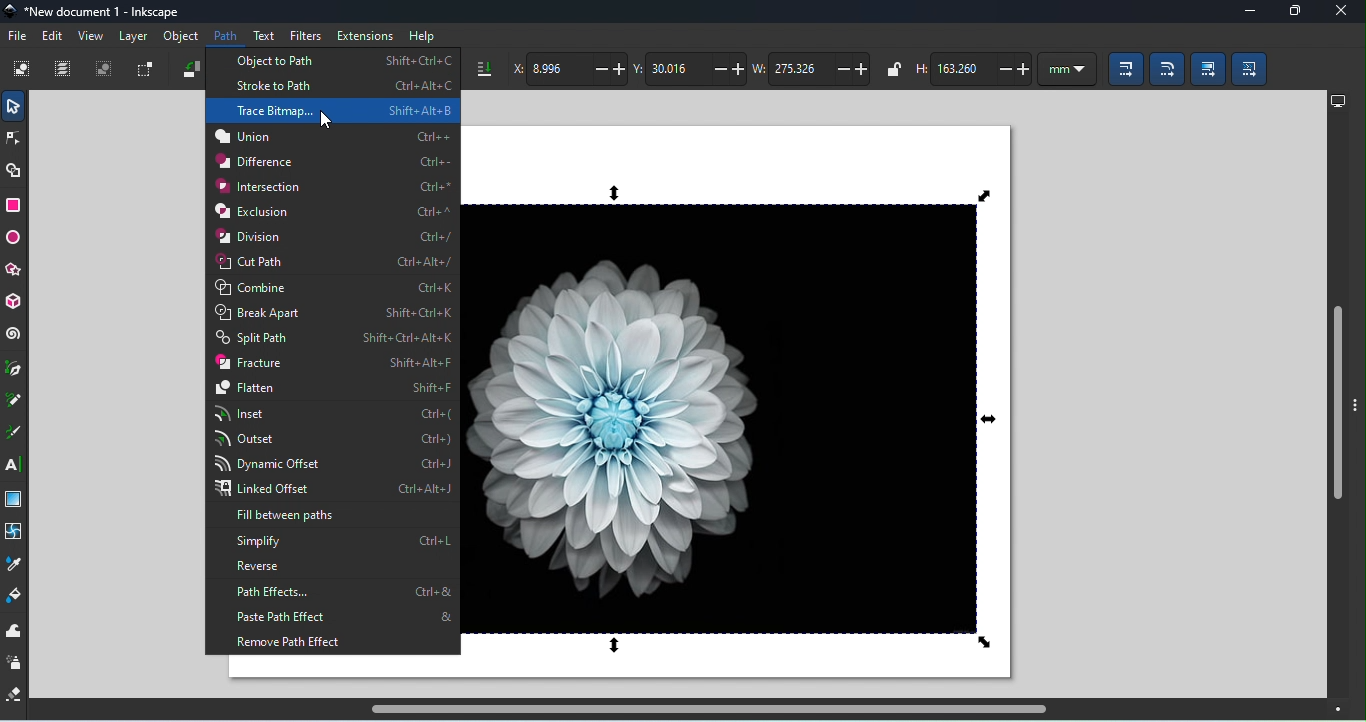 This screenshot has height=722, width=1366. Describe the element at coordinates (335, 136) in the screenshot. I see `Union` at that location.